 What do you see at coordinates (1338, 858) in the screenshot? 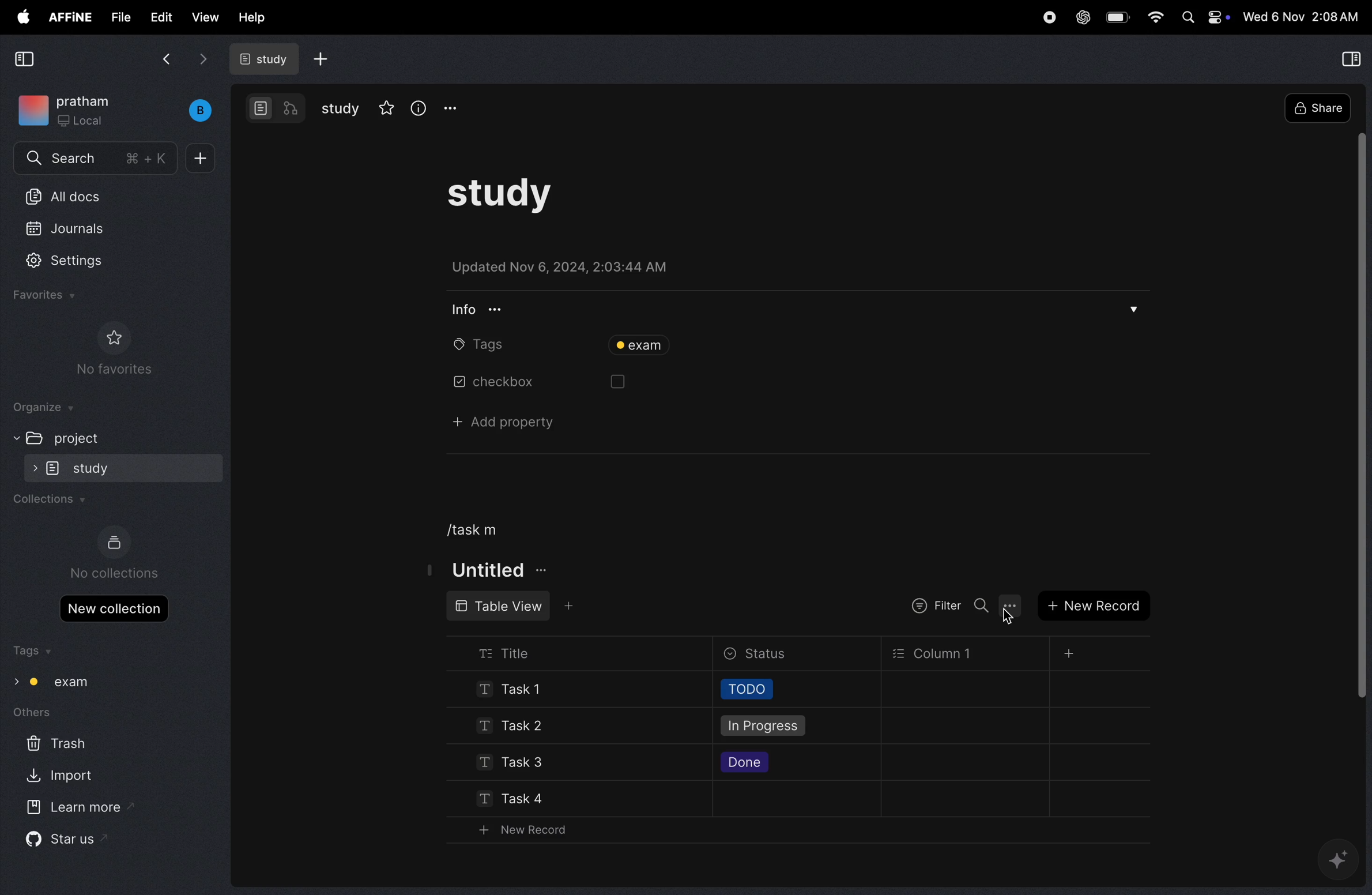
I see `gemini` at bounding box center [1338, 858].